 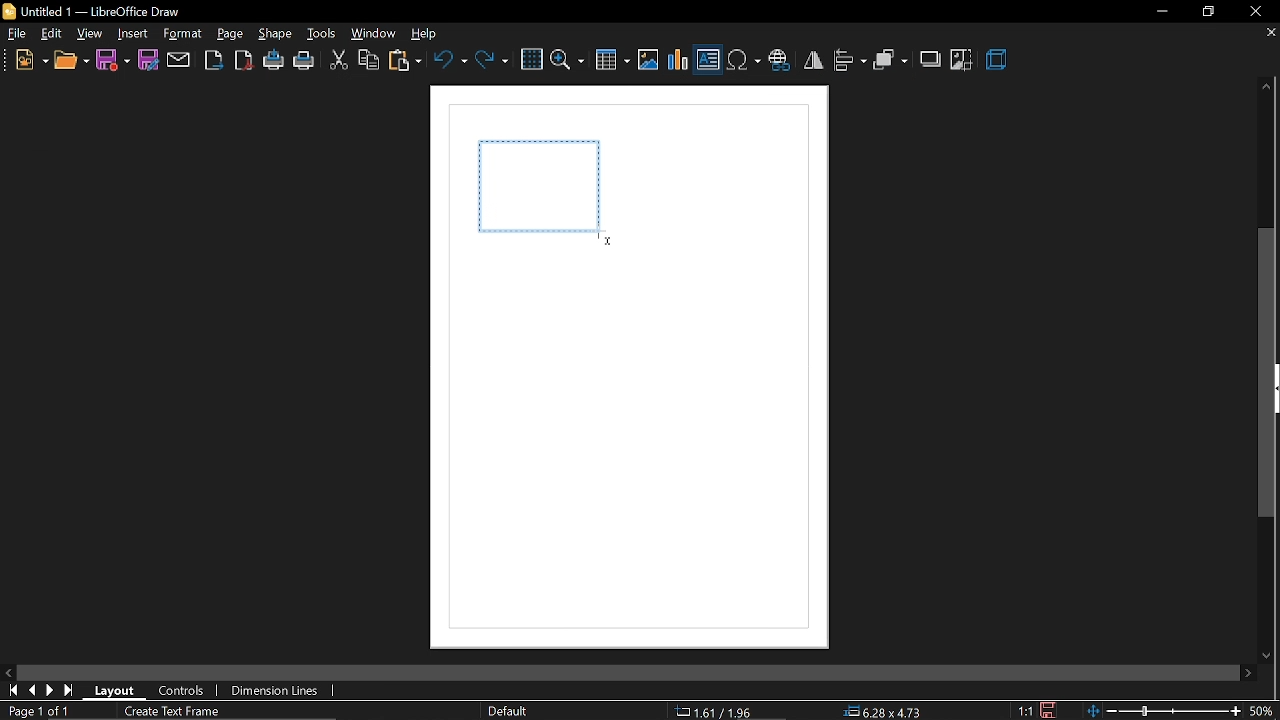 I want to click on view, so click(x=91, y=34).